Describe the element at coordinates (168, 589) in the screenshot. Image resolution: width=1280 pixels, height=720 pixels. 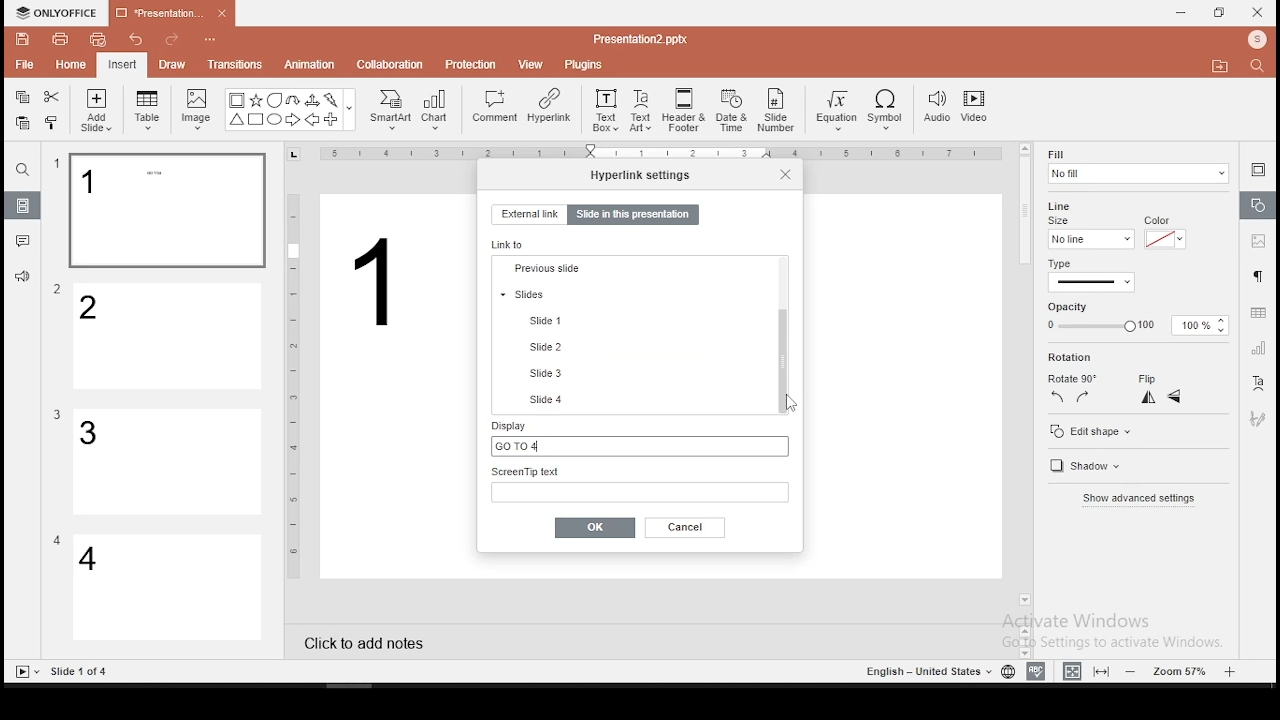
I see `slide 4` at that location.